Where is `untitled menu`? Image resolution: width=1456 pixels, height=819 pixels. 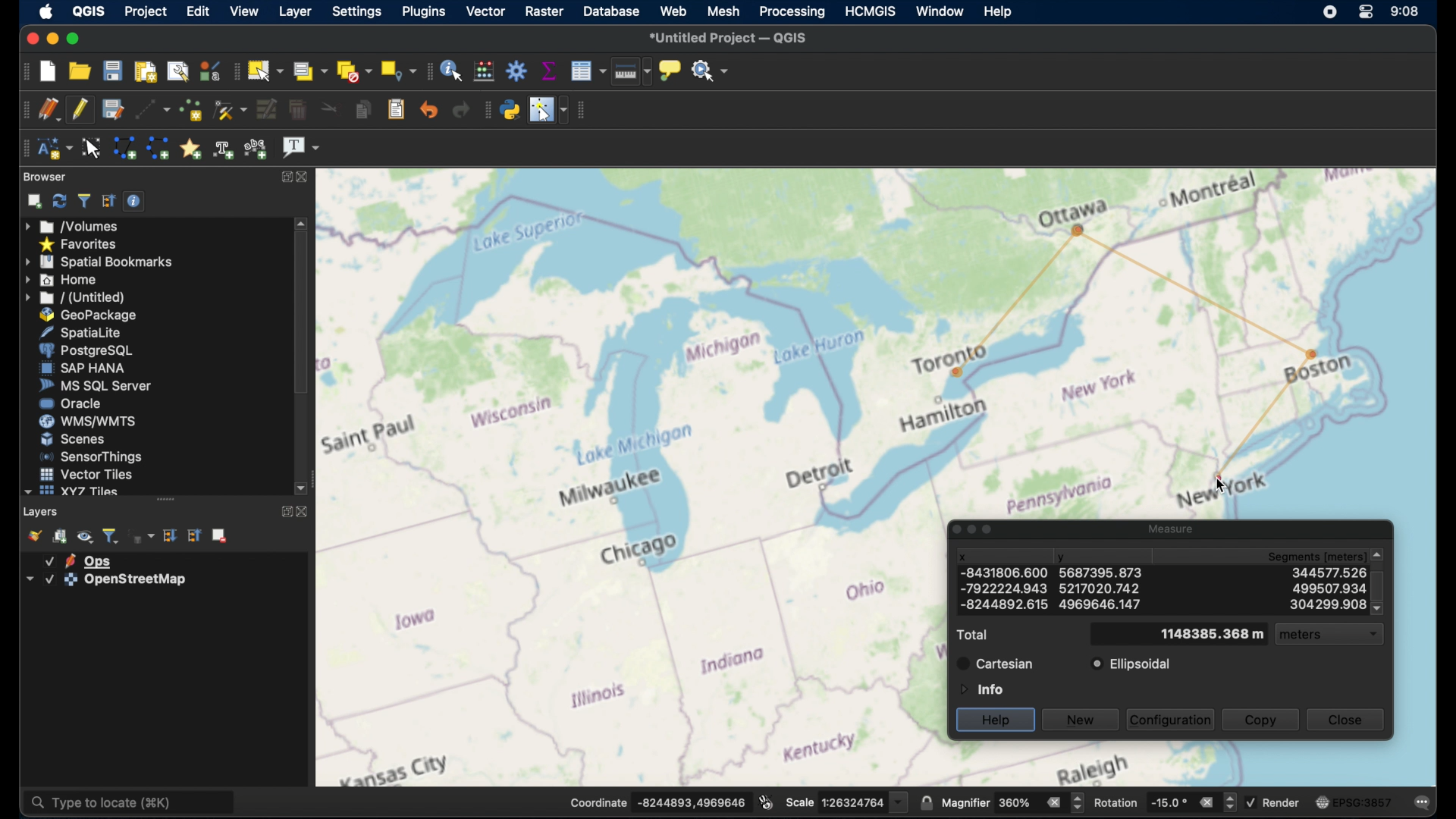 untitled menu is located at coordinates (74, 297).